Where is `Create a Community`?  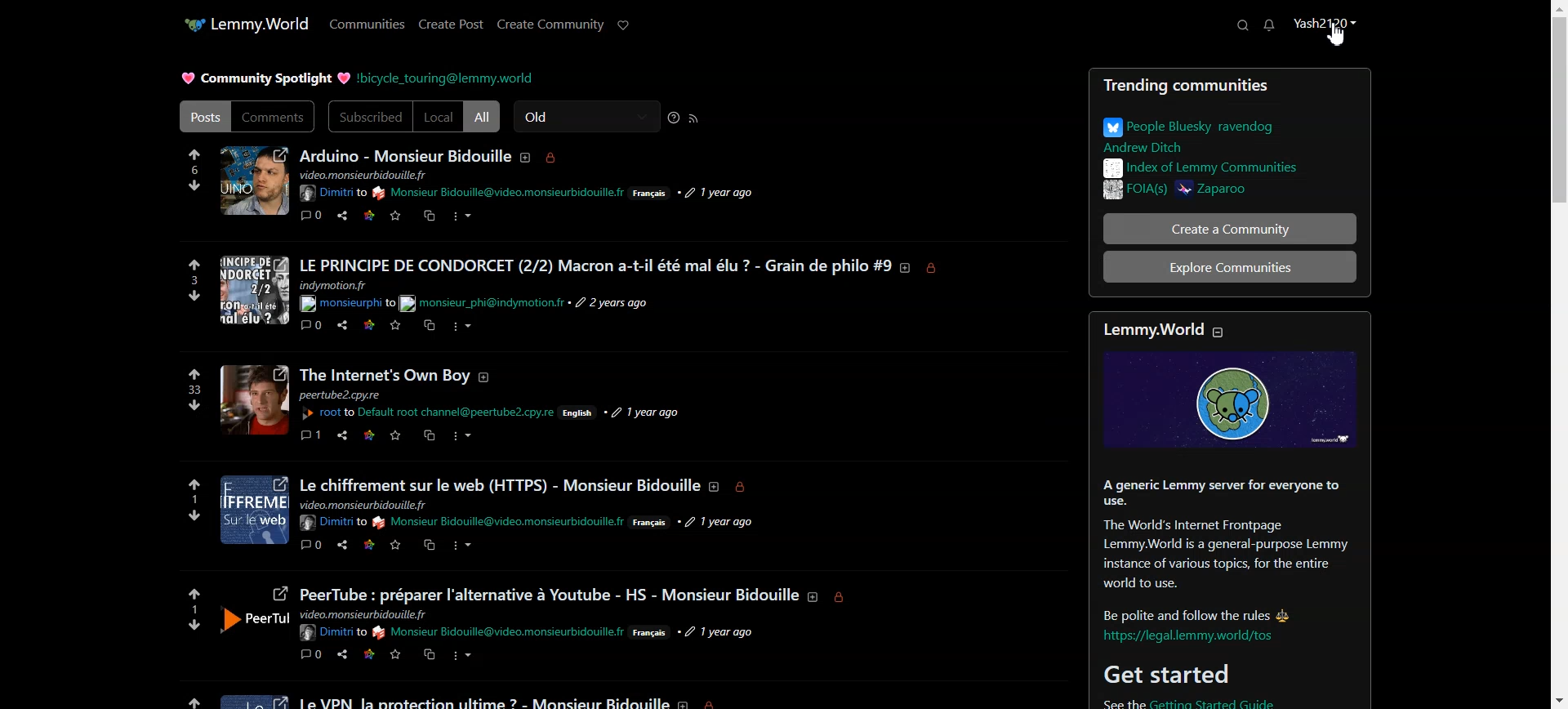
Create a Community is located at coordinates (1230, 228).